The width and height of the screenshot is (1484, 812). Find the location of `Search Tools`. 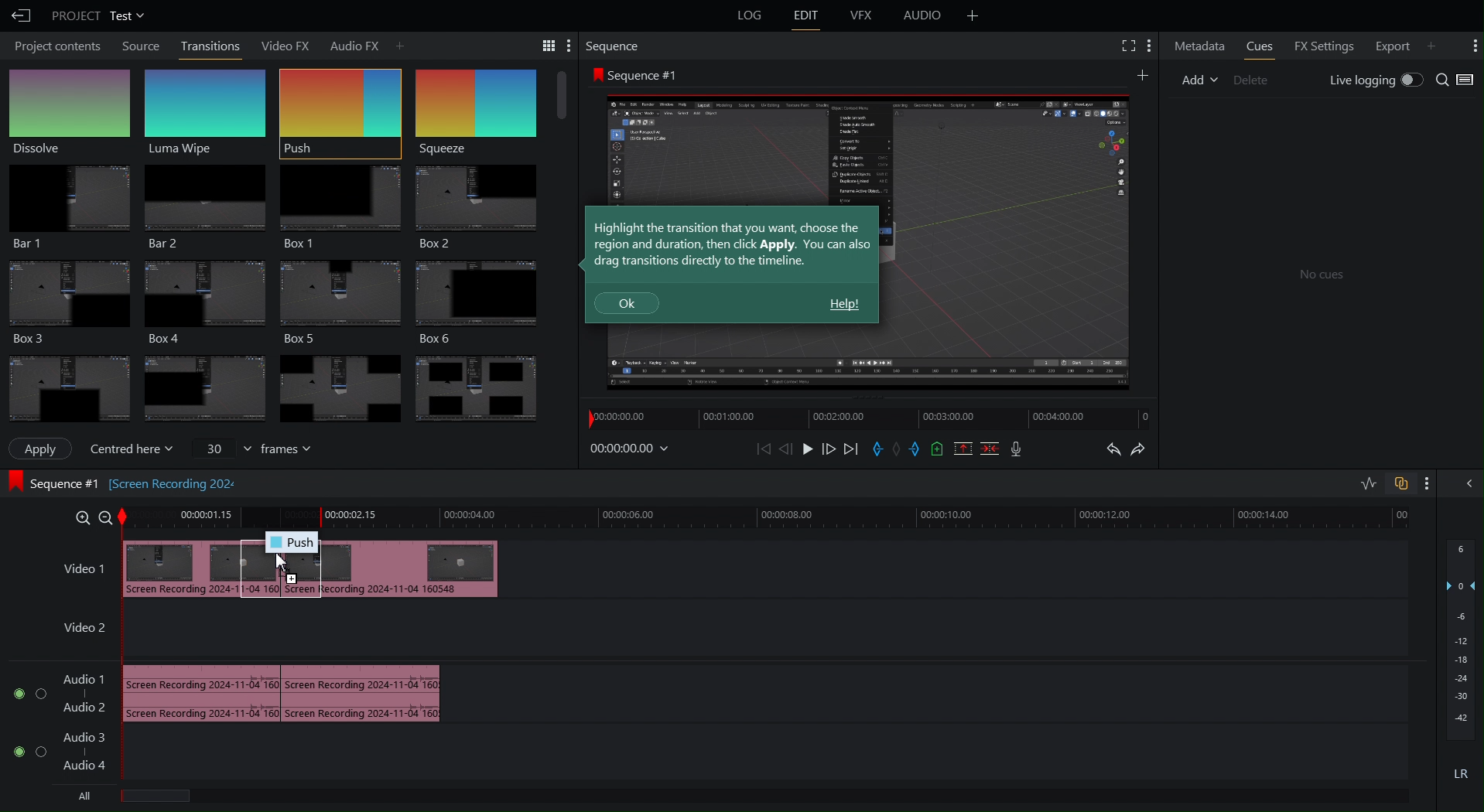

Search Tools is located at coordinates (542, 45).